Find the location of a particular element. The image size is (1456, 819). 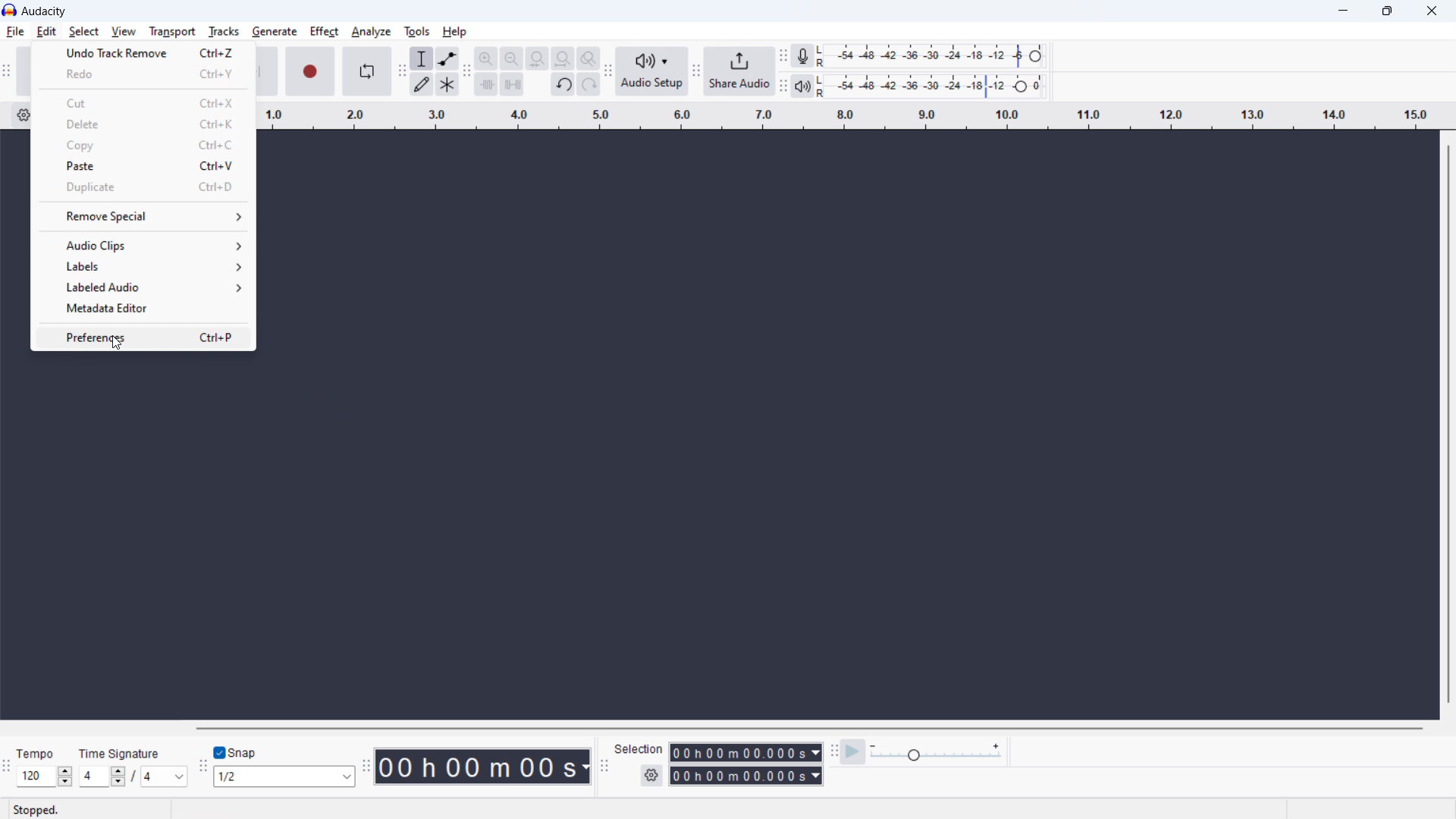

select snapping is located at coordinates (284, 777).